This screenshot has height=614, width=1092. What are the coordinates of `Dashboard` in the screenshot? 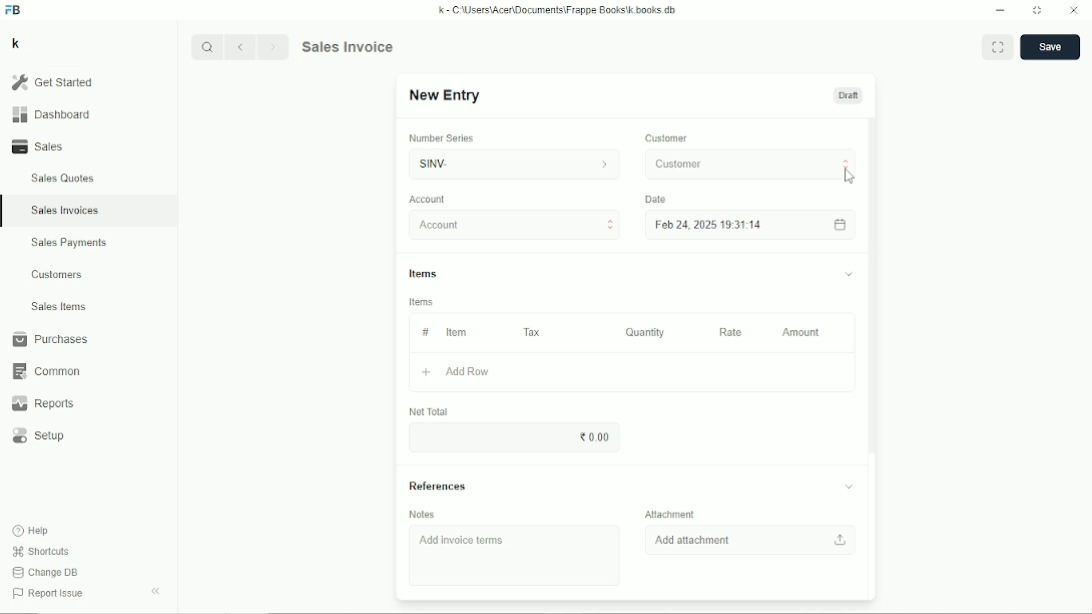 It's located at (51, 114).